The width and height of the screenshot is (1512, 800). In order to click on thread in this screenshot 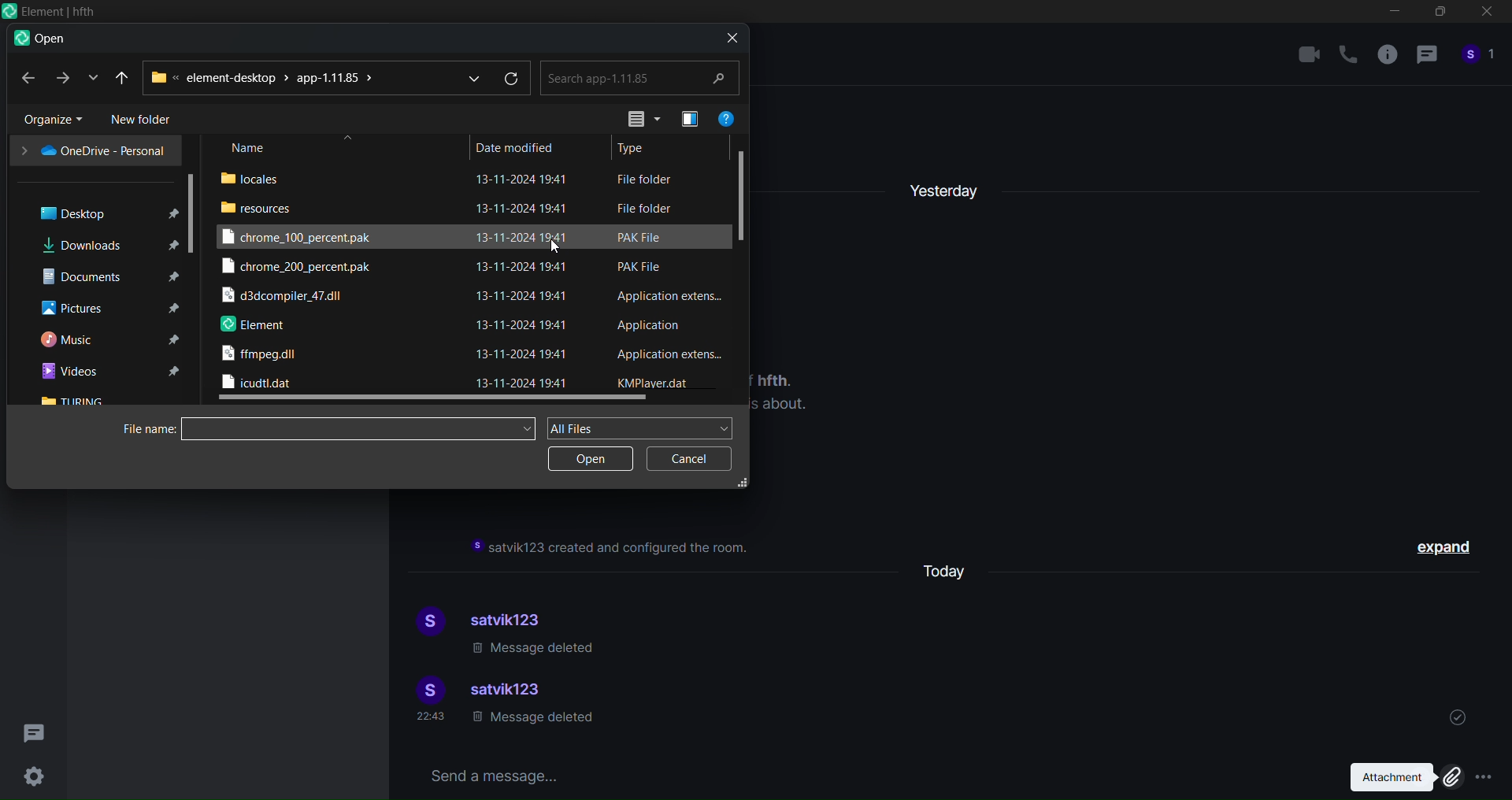, I will do `click(1426, 57)`.